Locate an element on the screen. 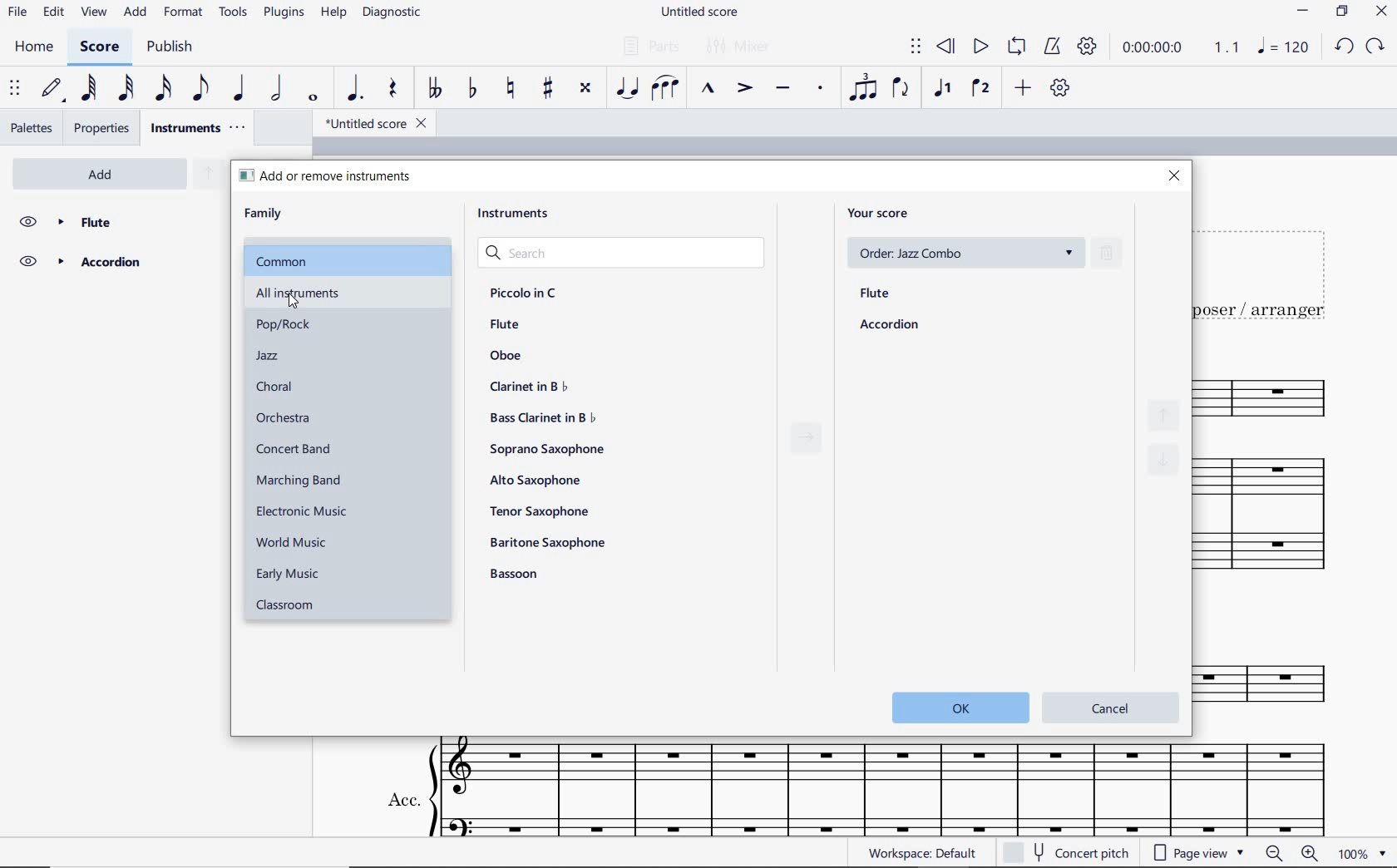 This screenshot has width=1397, height=868. ACC. is located at coordinates (854, 788).